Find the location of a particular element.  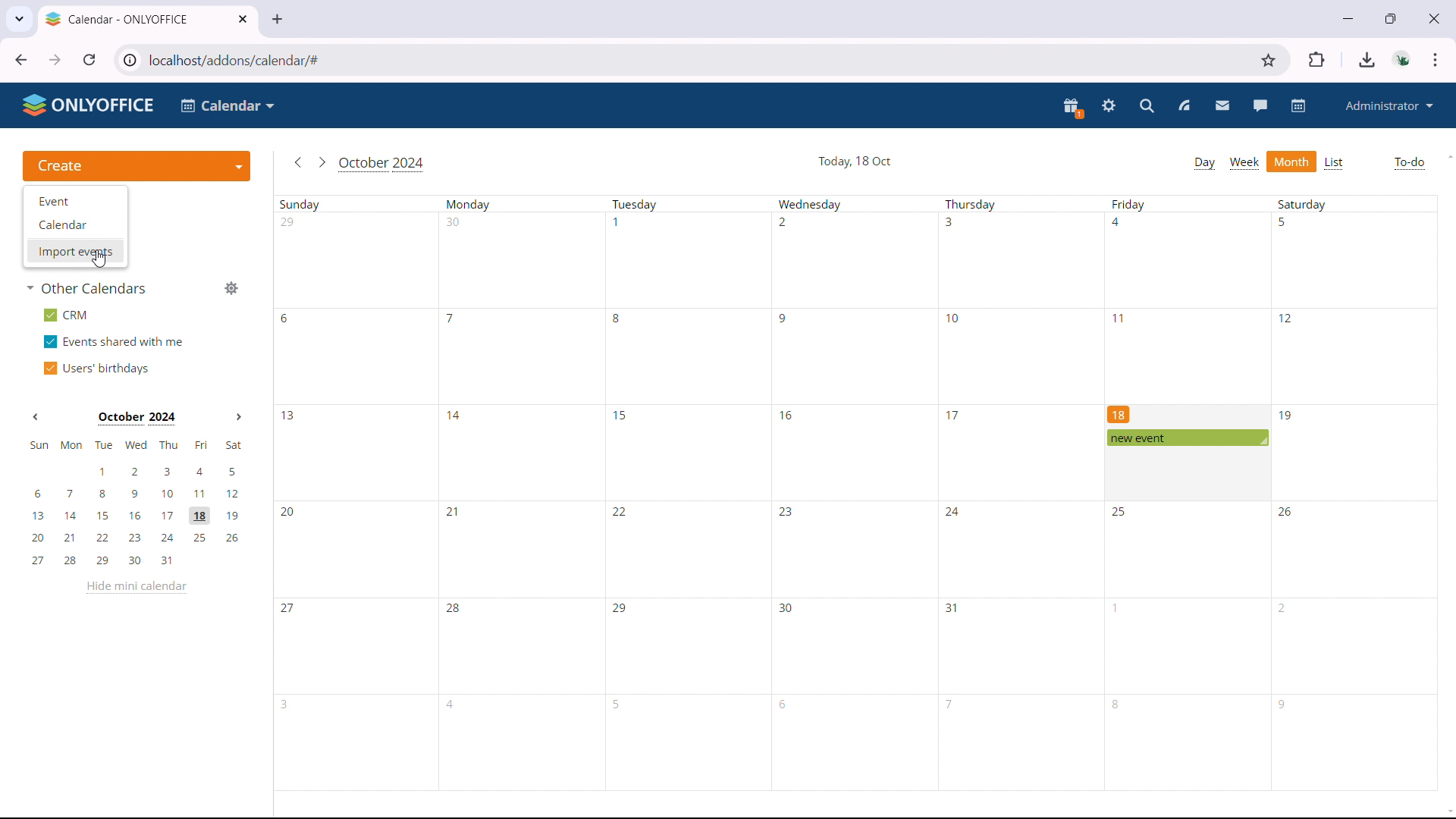

8 is located at coordinates (617, 318).